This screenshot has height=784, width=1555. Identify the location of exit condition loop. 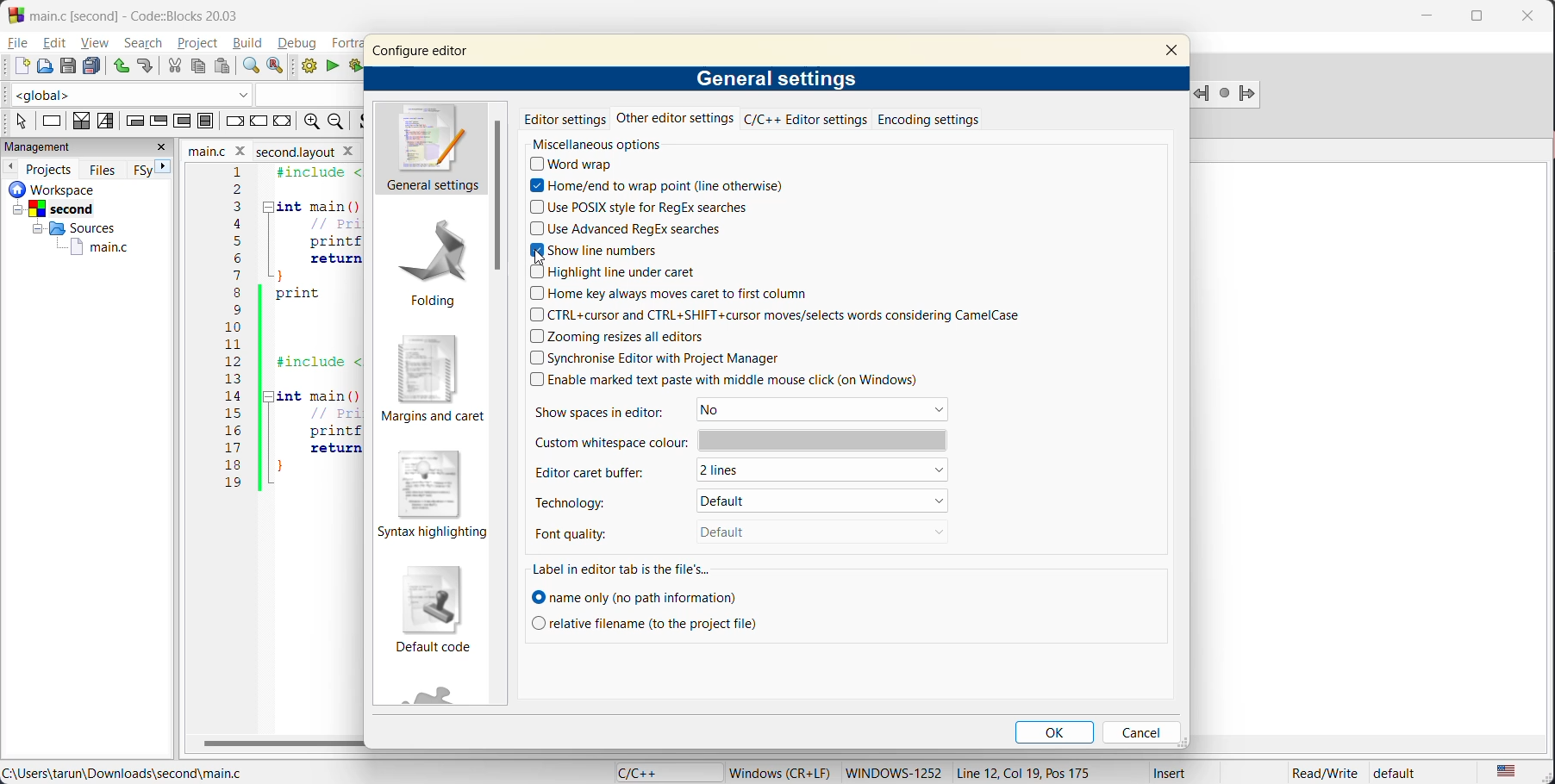
(158, 120).